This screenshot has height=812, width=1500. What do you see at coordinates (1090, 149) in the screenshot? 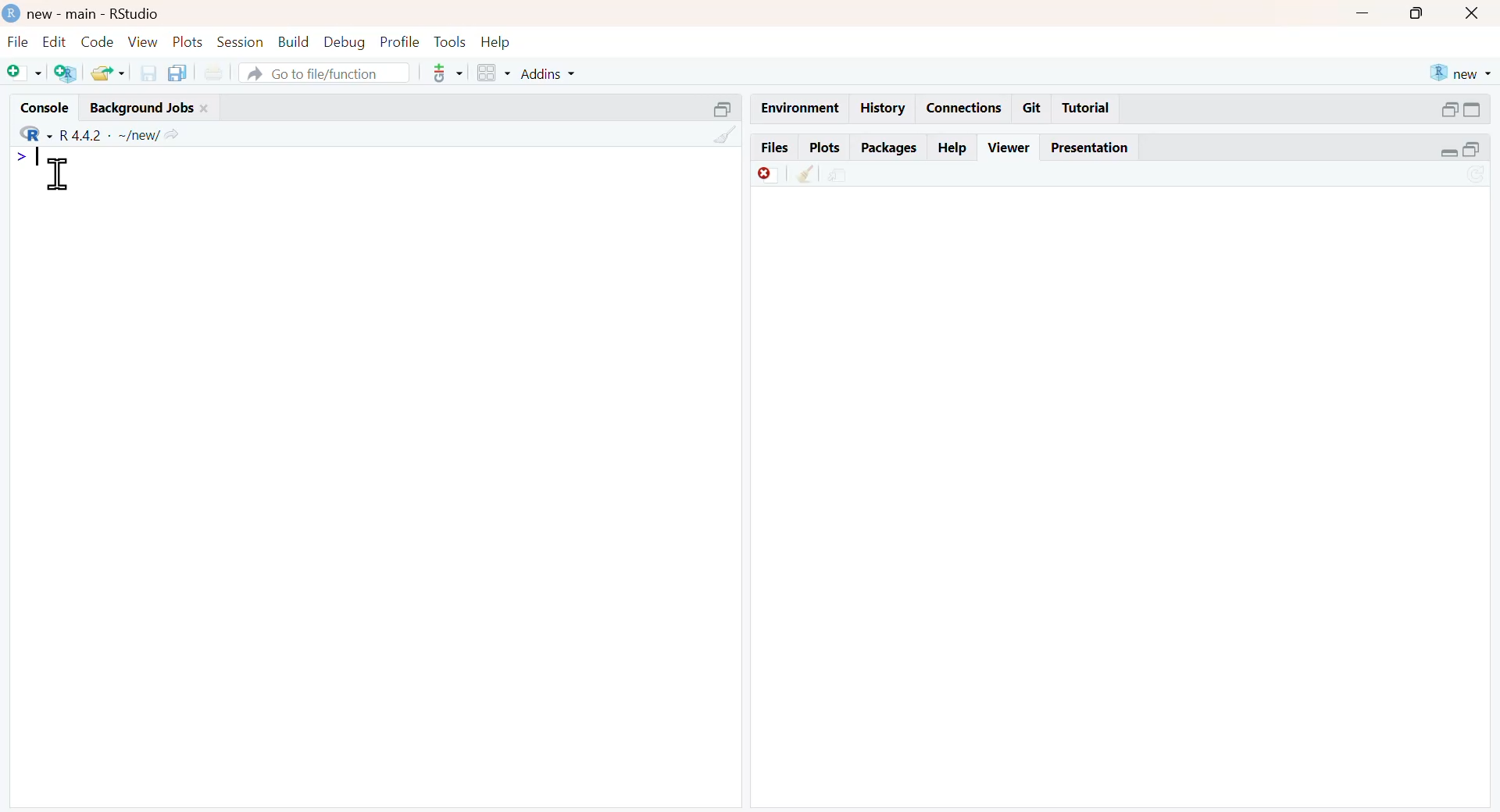
I see `Presentation` at bounding box center [1090, 149].